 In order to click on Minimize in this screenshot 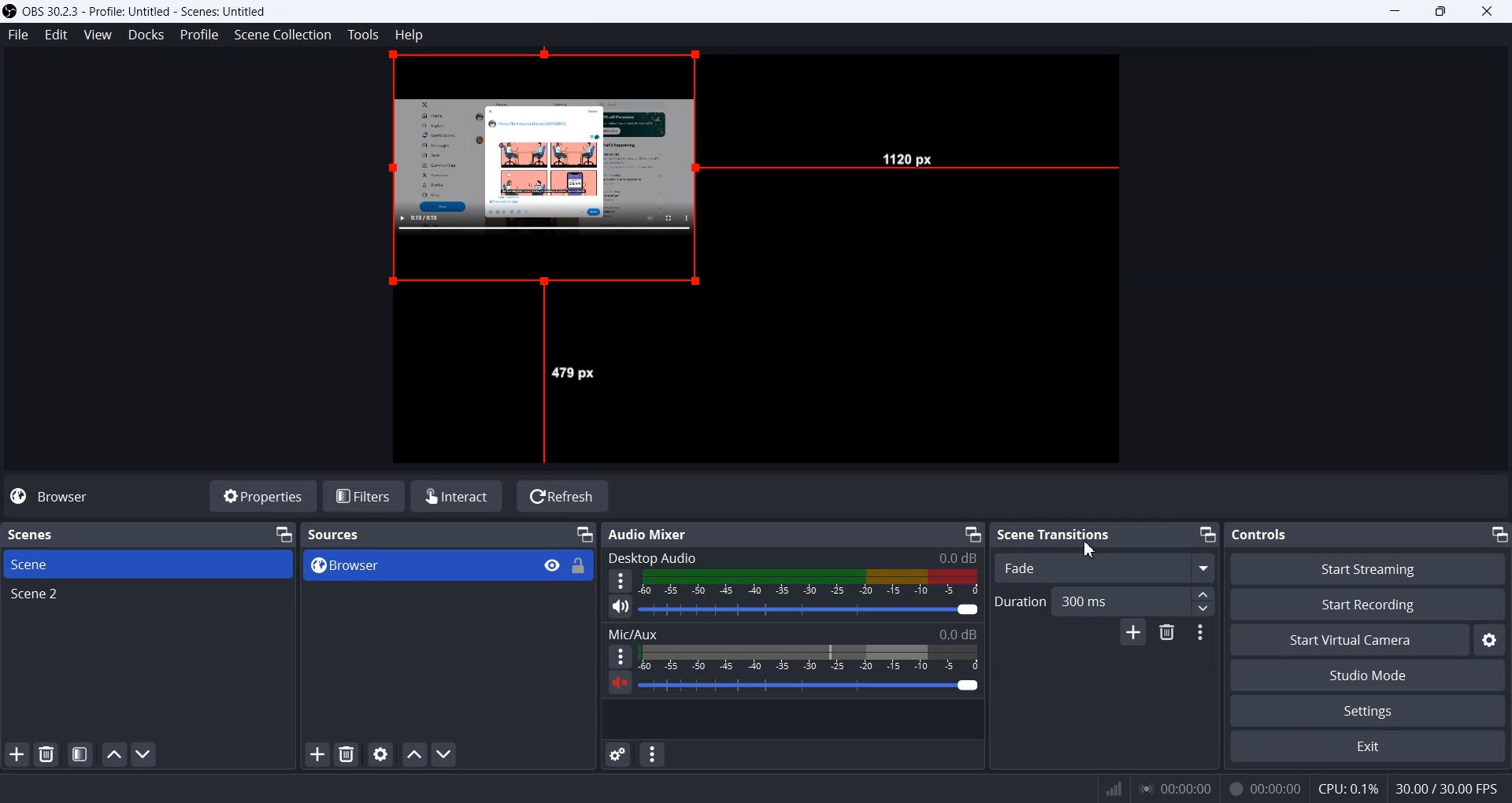, I will do `click(1498, 534)`.